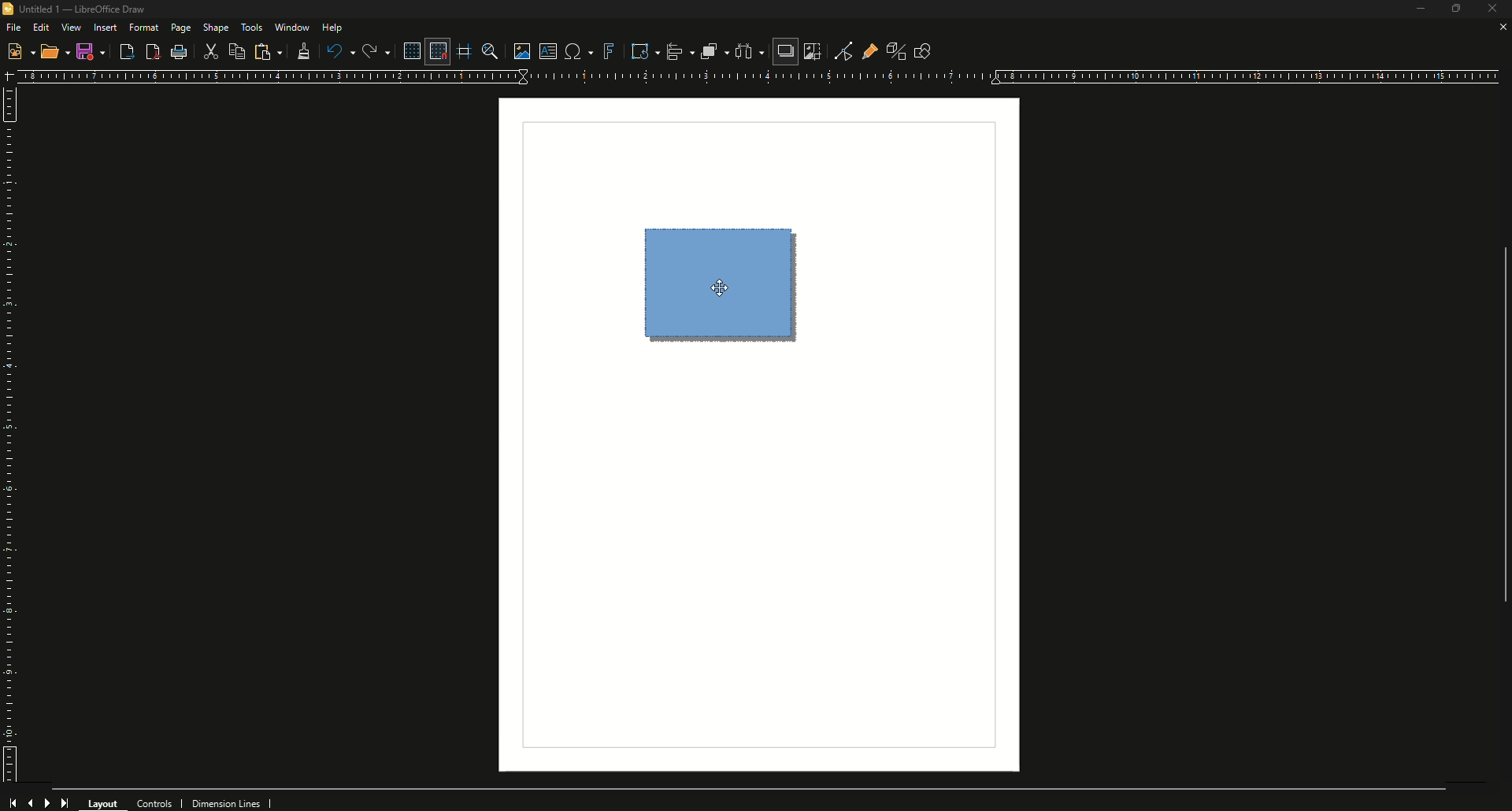 The width and height of the screenshot is (1512, 811). What do you see at coordinates (784, 53) in the screenshot?
I see `Shadow` at bounding box center [784, 53].